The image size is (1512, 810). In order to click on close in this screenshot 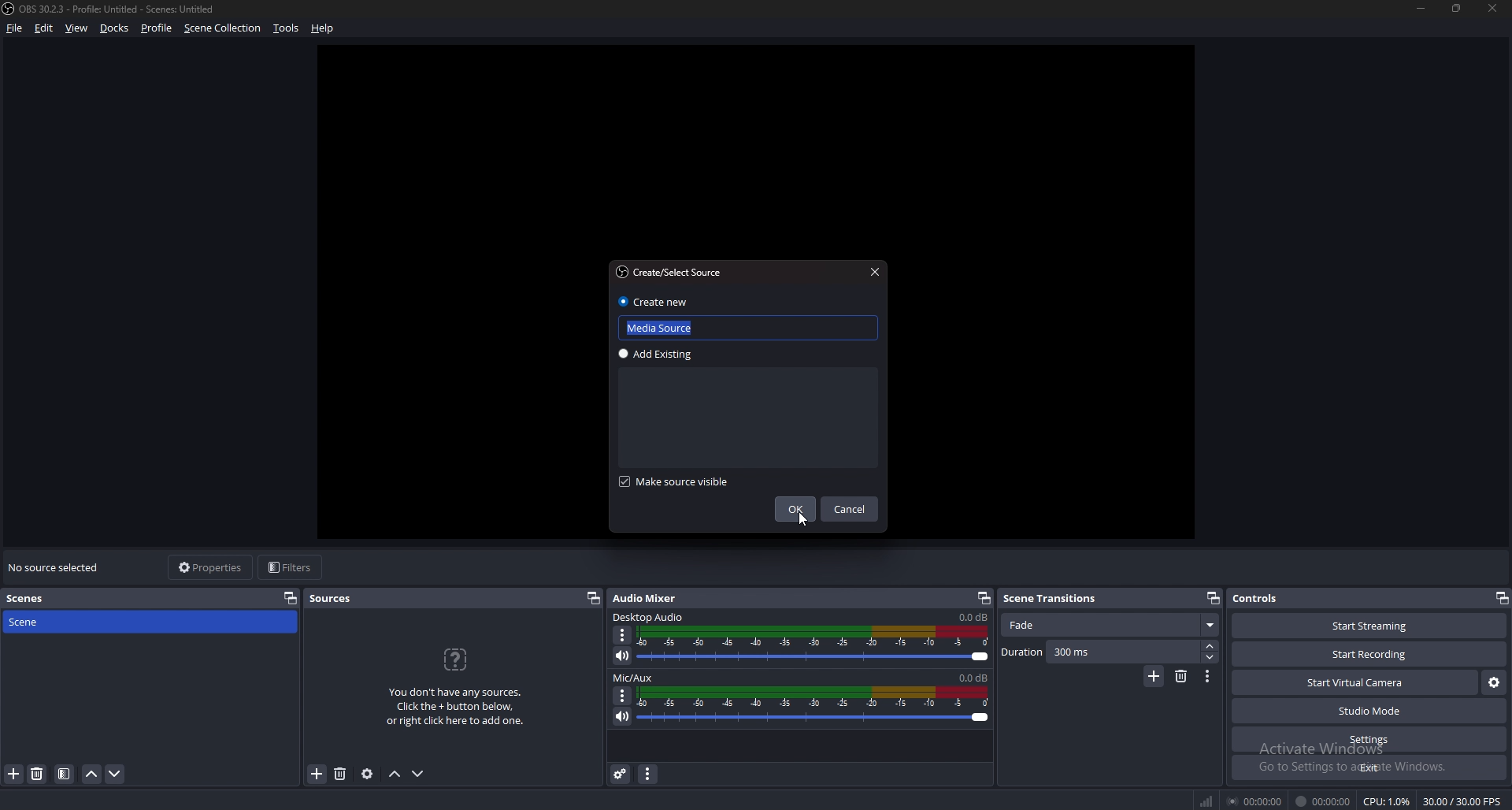, I will do `click(873, 270)`.